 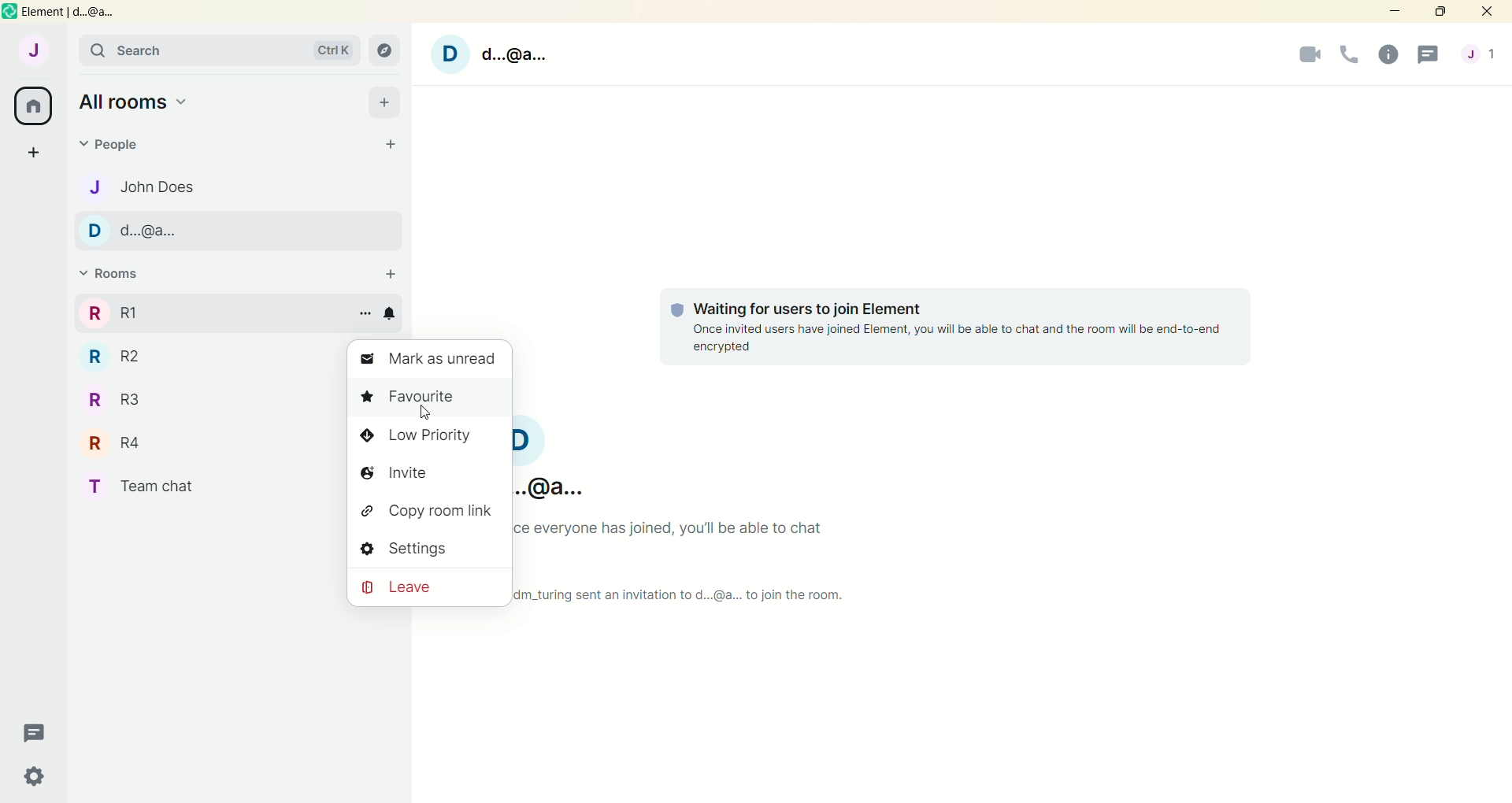 What do you see at coordinates (393, 314) in the screenshot?
I see `Notification` at bounding box center [393, 314].